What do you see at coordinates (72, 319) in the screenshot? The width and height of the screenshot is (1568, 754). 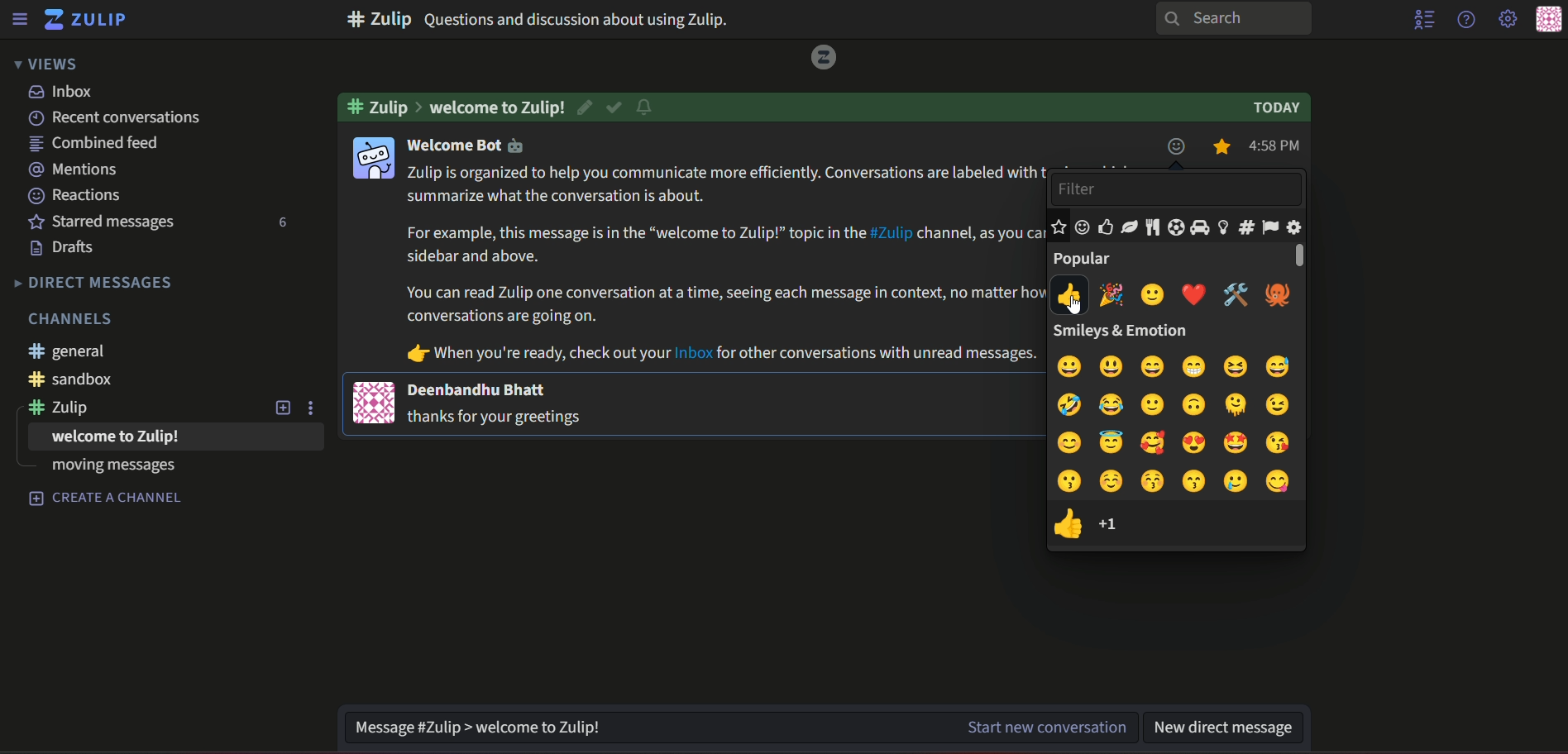 I see `Channels` at bounding box center [72, 319].